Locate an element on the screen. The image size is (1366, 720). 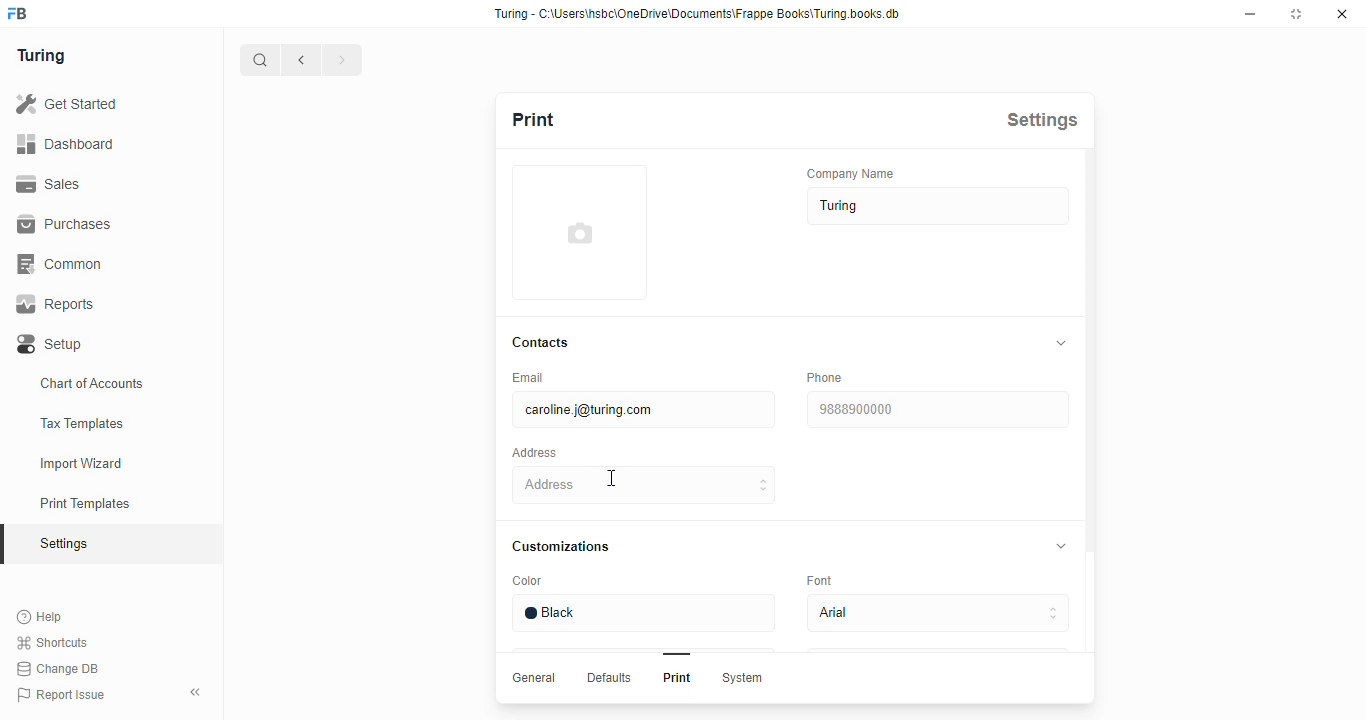
import wizard is located at coordinates (82, 464).